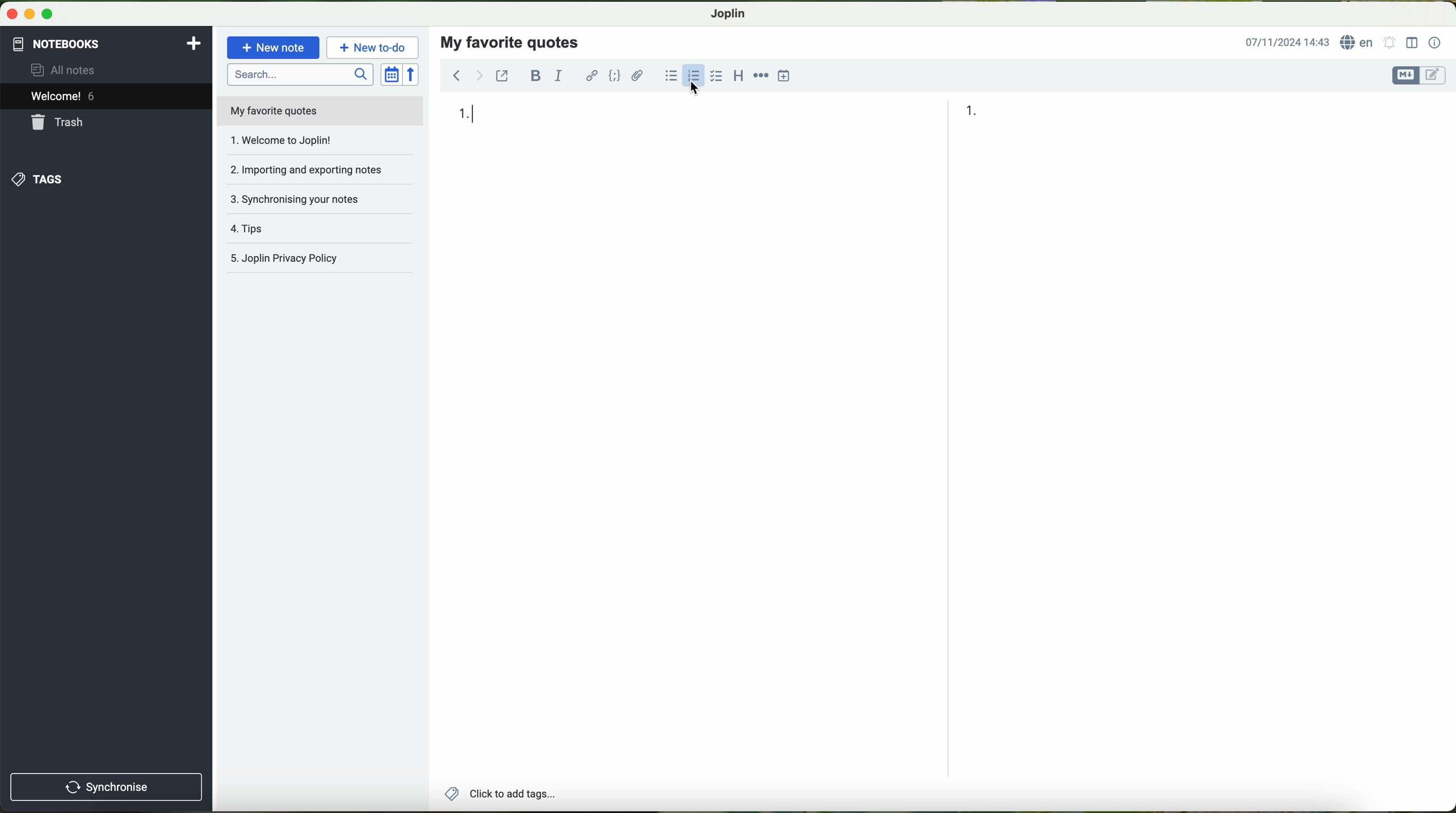  What do you see at coordinates (510, 41) in the screenshot?
I see `my favorite quotes` at bounding box center [510, 41].